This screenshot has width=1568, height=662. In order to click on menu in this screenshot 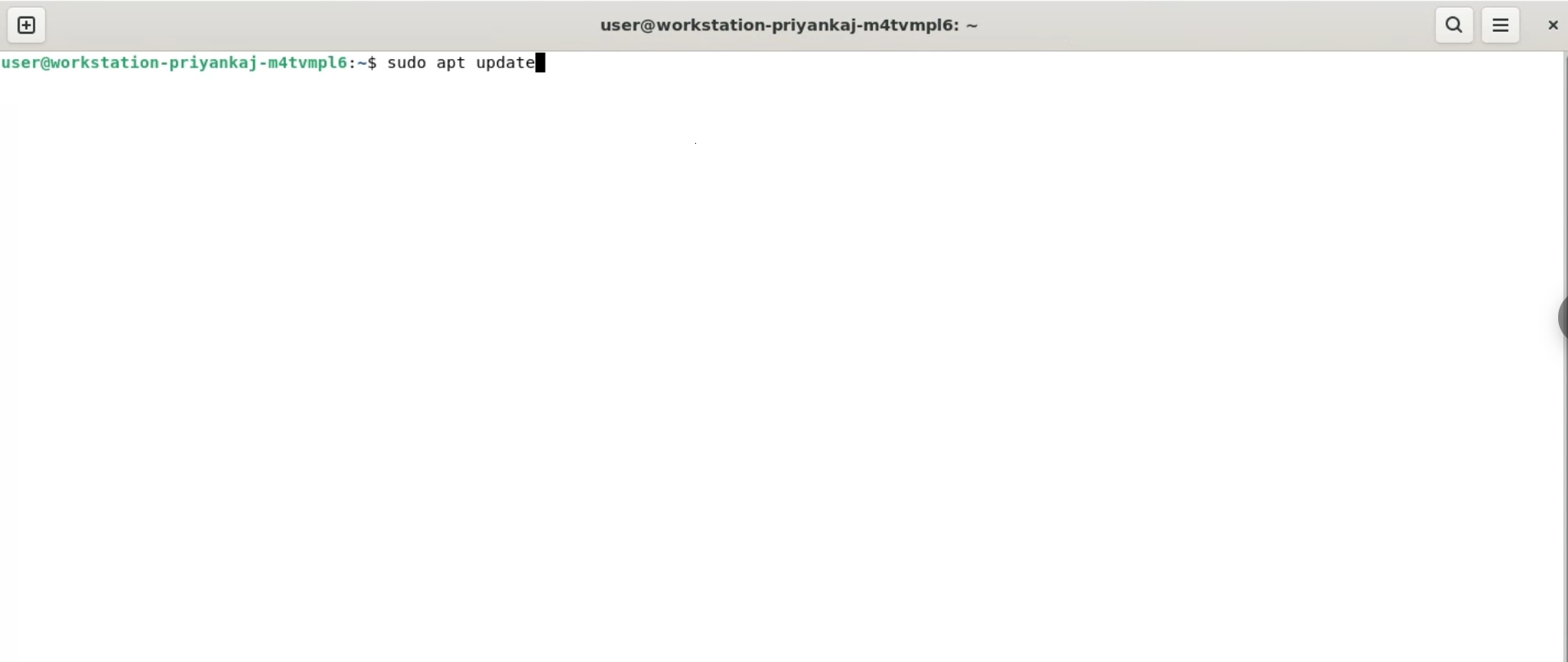, I will do `click(1504, 25)`.